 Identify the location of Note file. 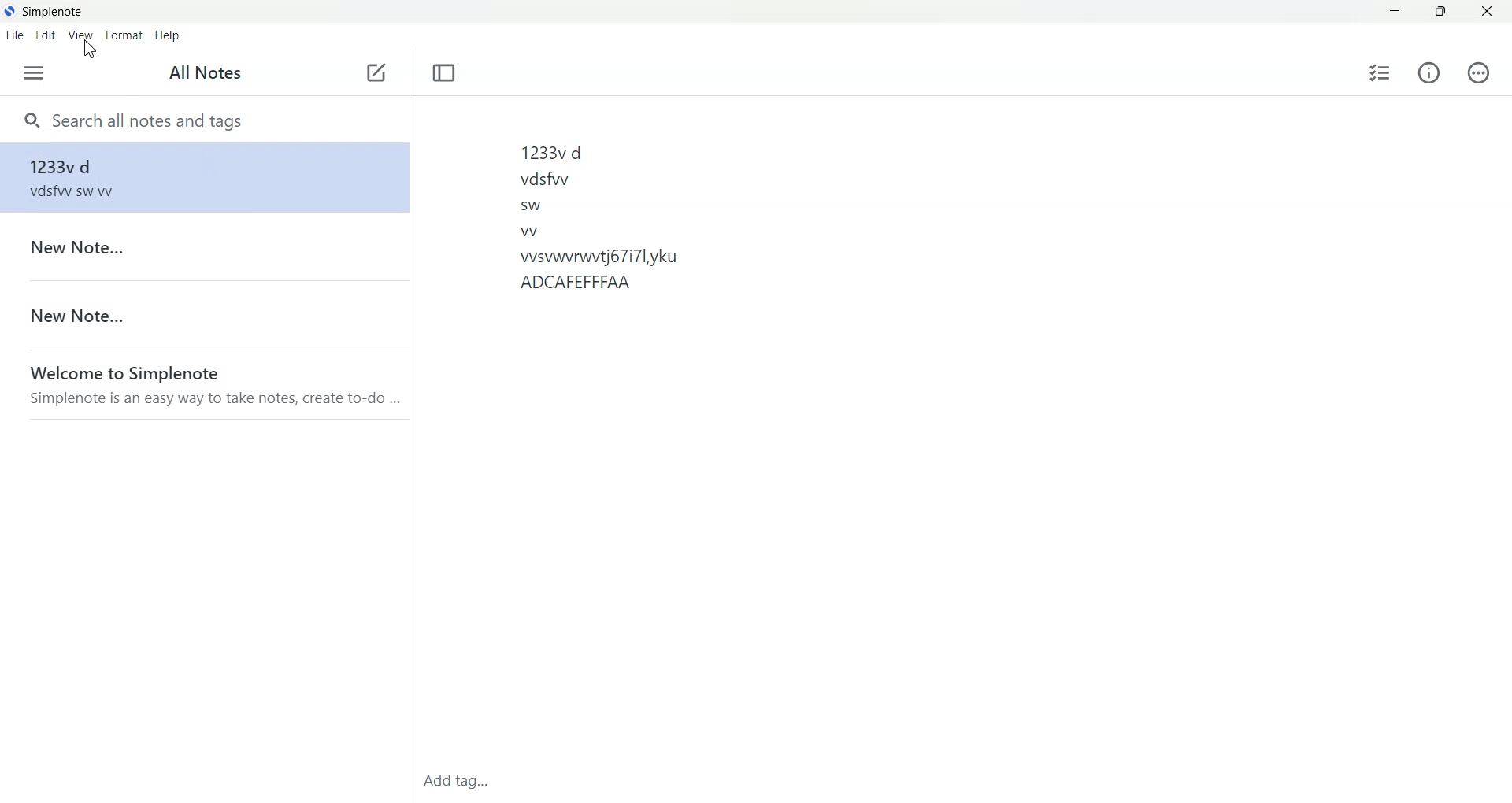
(204, 178).